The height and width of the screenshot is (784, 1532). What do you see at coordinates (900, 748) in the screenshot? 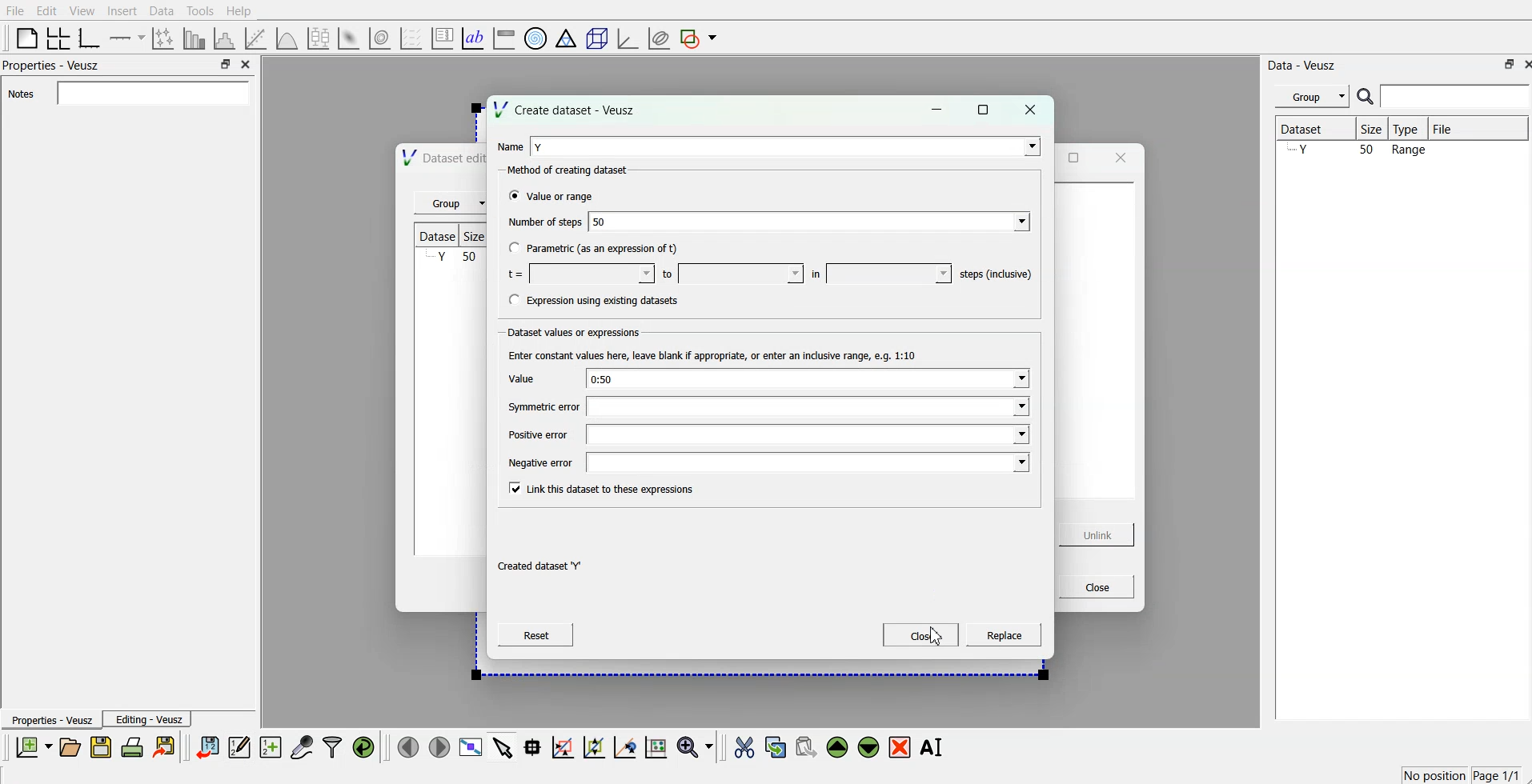
I see `remove the selected widgets` at bounding box center [900, 748].